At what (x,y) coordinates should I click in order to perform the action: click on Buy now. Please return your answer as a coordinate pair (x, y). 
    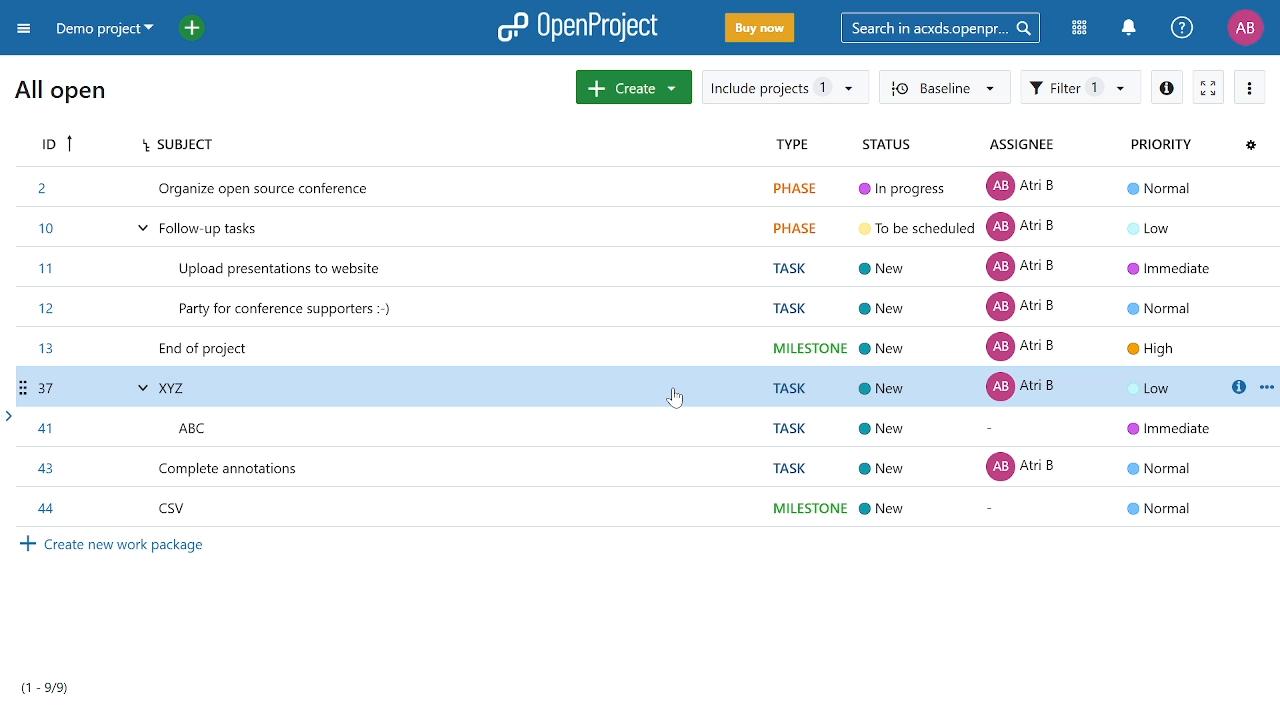
    Looking at the image, I should click on (758, 27).